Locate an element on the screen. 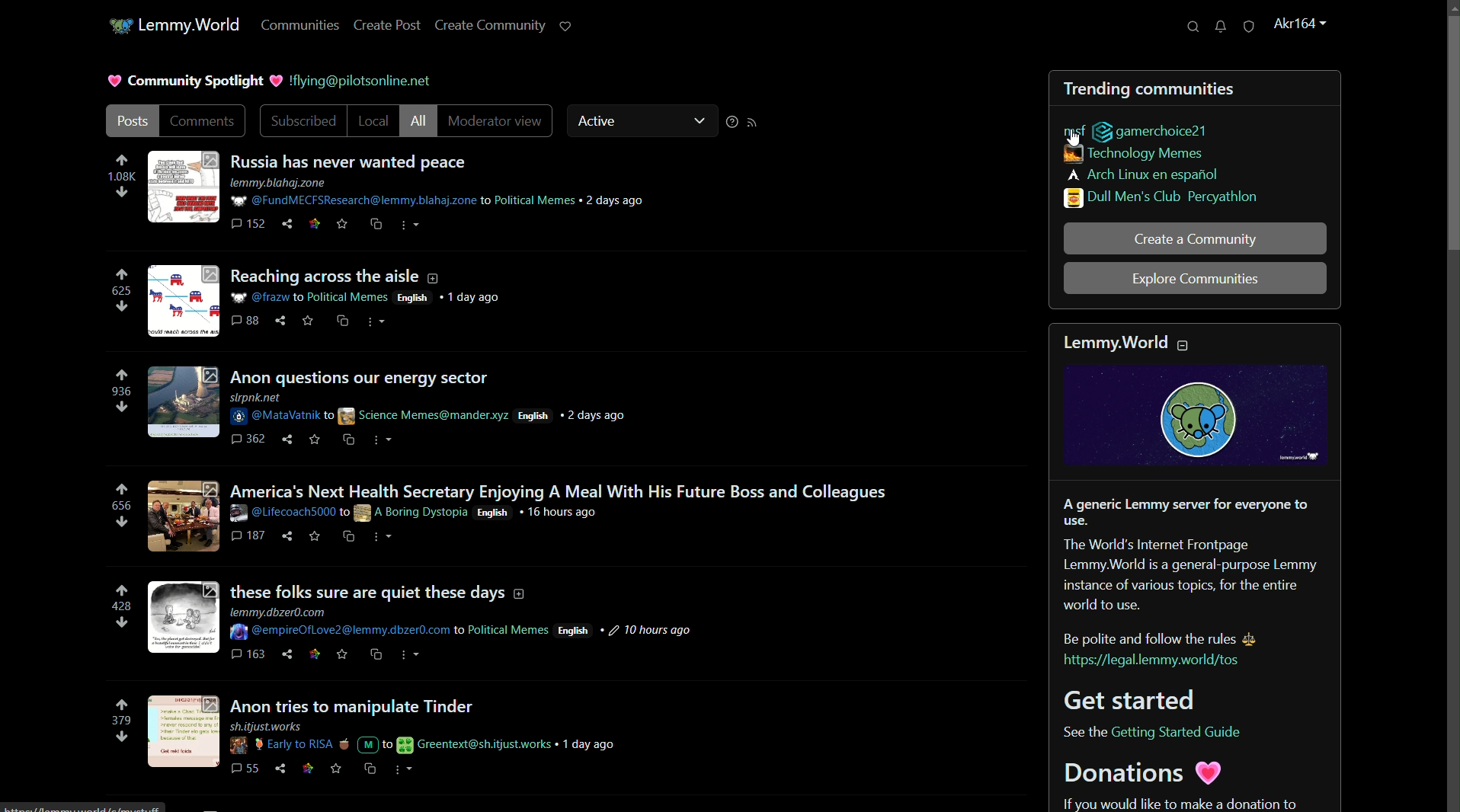  more is located at coordinates (406, 767).